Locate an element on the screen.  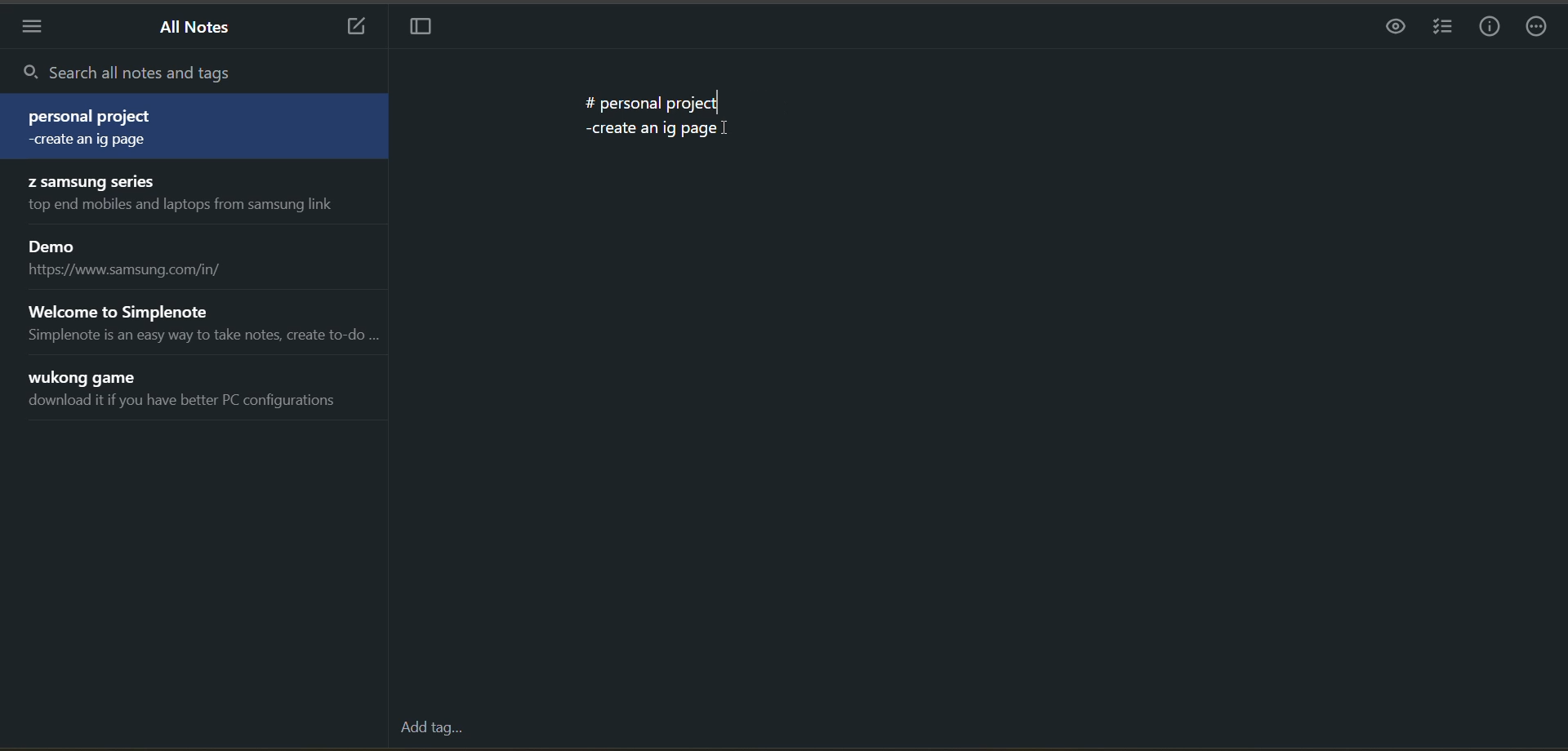
note title and preview is located at coordinates (142, 256).